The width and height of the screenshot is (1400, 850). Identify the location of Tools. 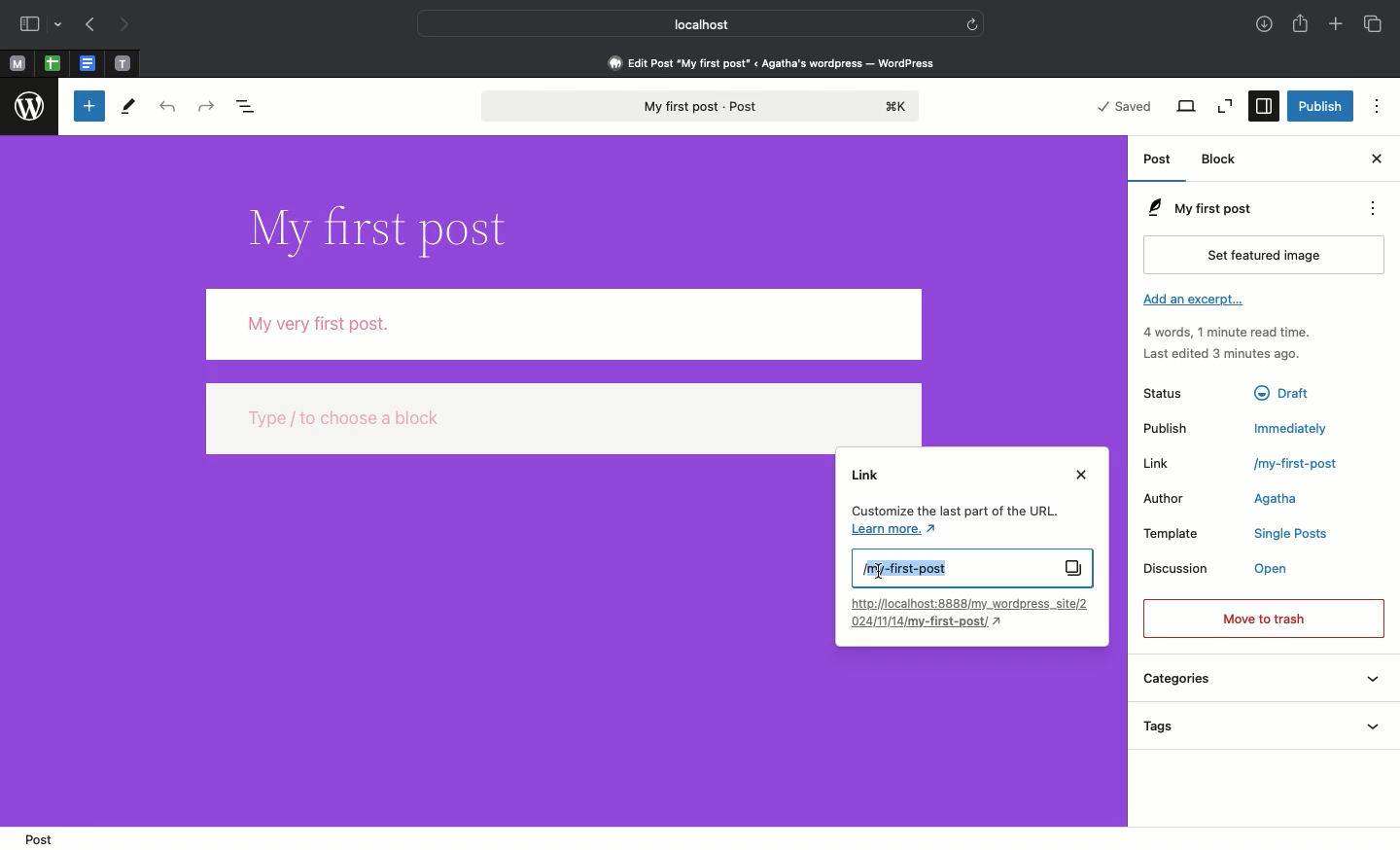
(130, 107).